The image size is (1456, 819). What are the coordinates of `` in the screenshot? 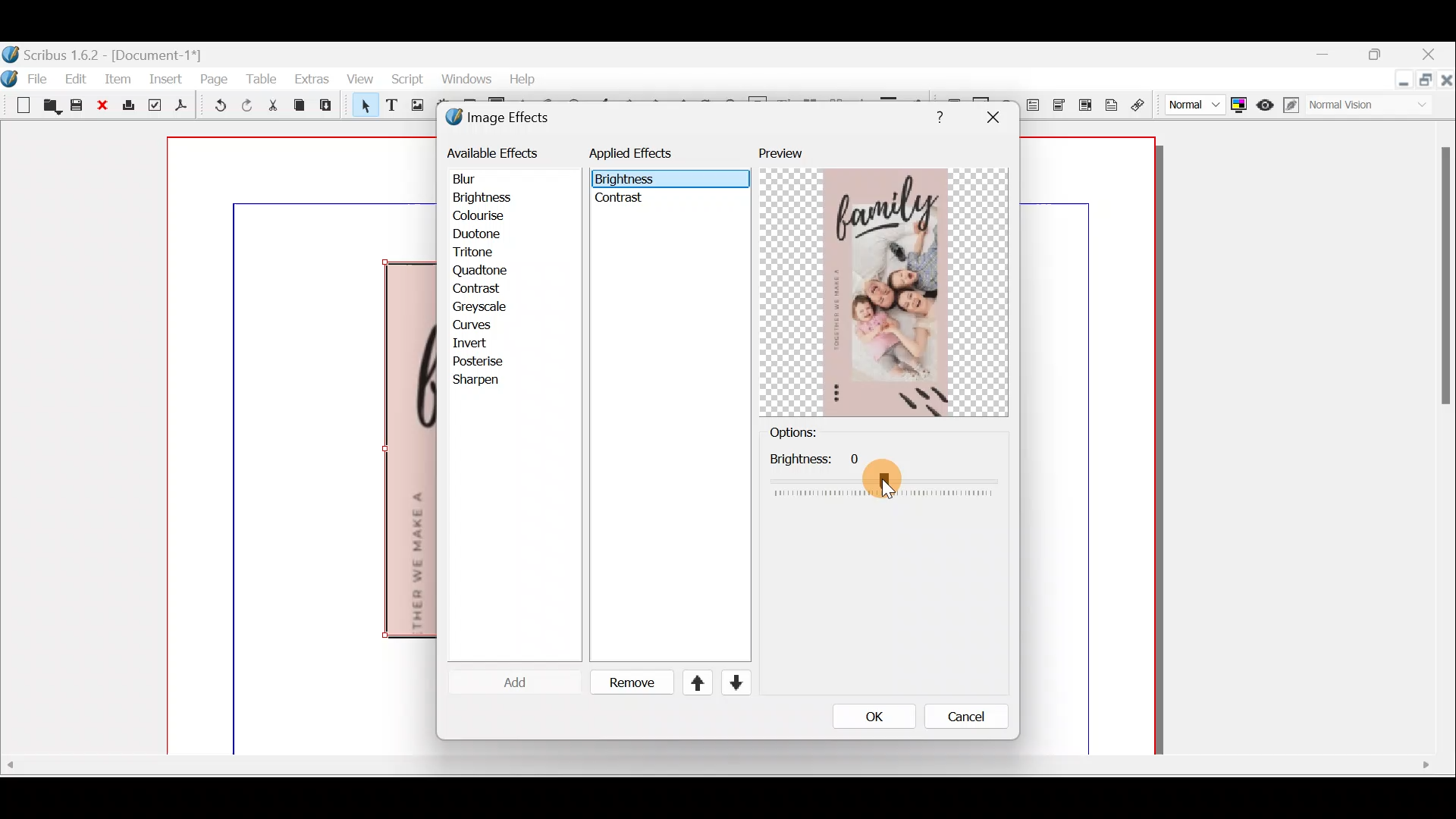 It's located at (715, 765).